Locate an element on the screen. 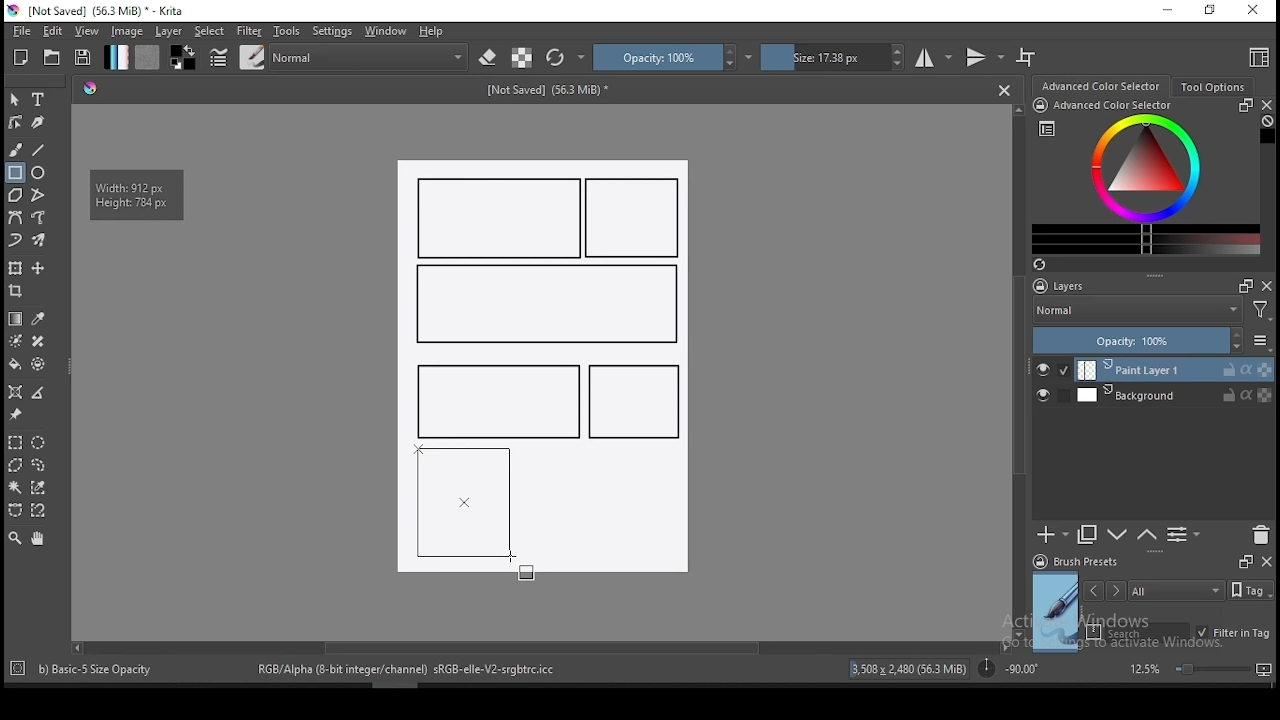 The width and height of the screenshot is (1280, 720). paint bucket tool is located at coordinates (15, 364).